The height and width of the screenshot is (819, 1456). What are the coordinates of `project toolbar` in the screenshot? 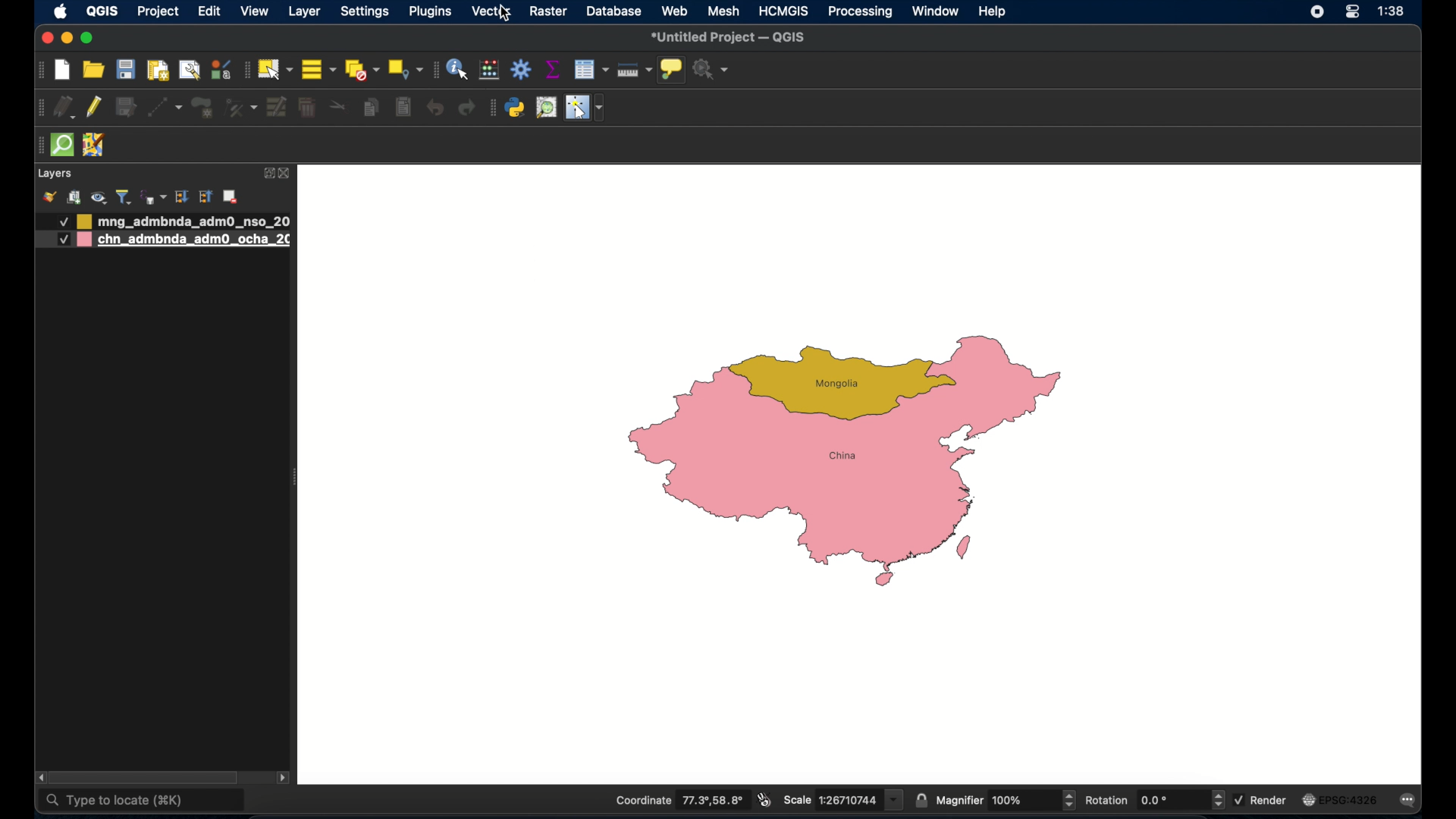 It's located at (39, 71).